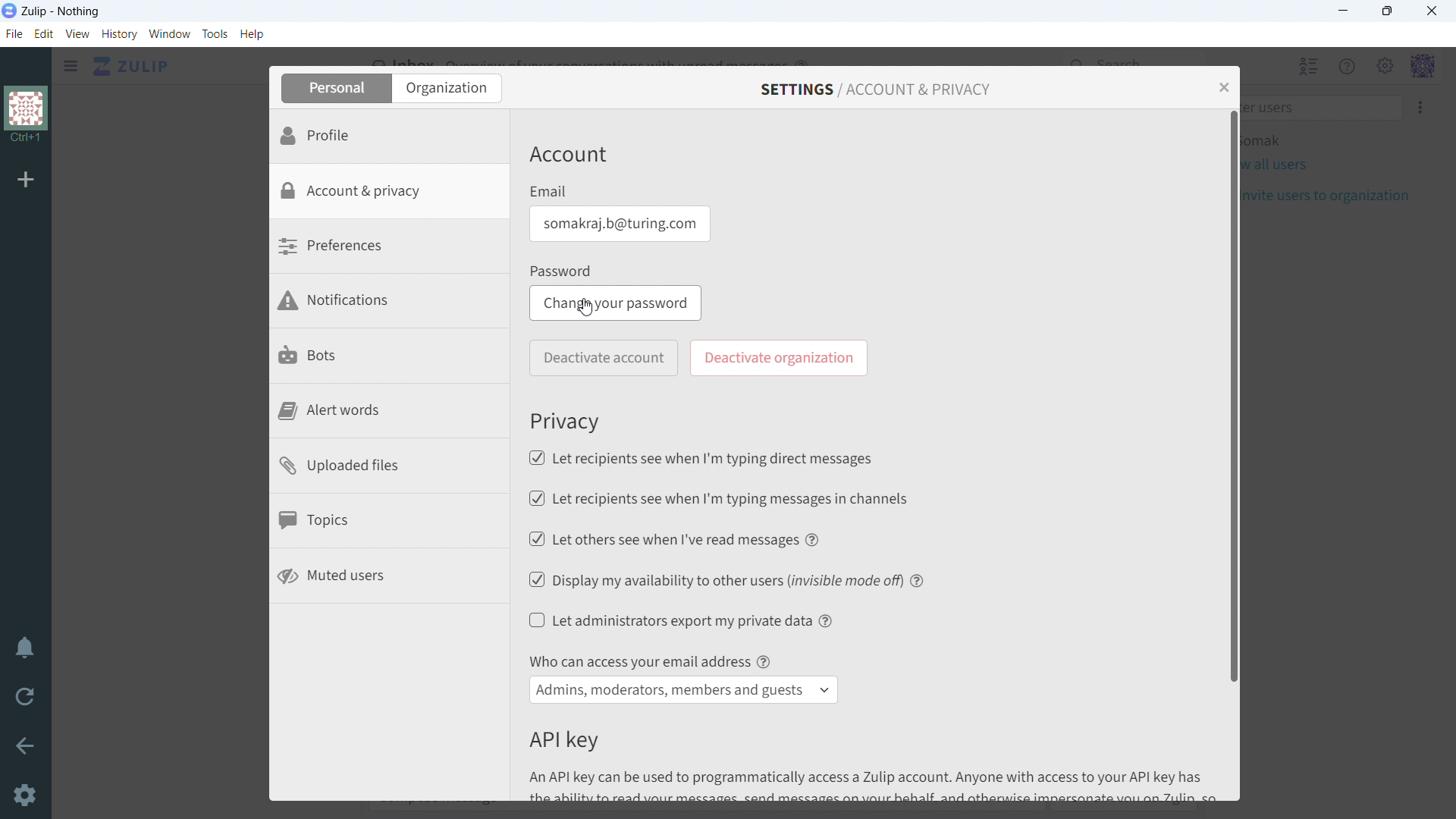  Describe the element at coordinates (670, 620) in the screenshot. I see `let administrators export my private data` at that location.